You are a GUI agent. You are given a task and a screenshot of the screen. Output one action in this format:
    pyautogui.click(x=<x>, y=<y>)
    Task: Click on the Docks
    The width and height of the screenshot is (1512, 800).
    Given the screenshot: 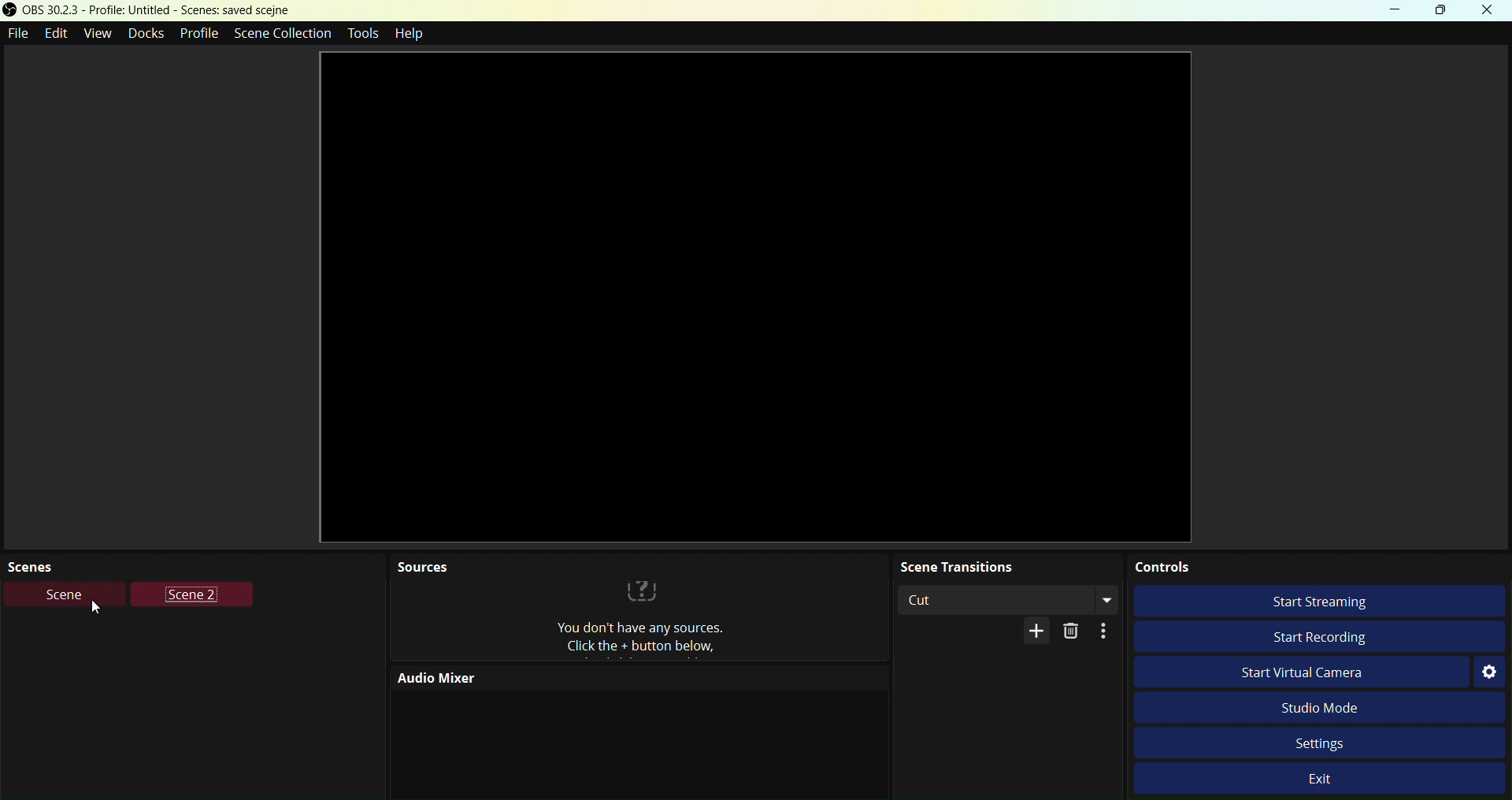 What is the action you would take?
    pyautogui.click(x=147, y=35)
    